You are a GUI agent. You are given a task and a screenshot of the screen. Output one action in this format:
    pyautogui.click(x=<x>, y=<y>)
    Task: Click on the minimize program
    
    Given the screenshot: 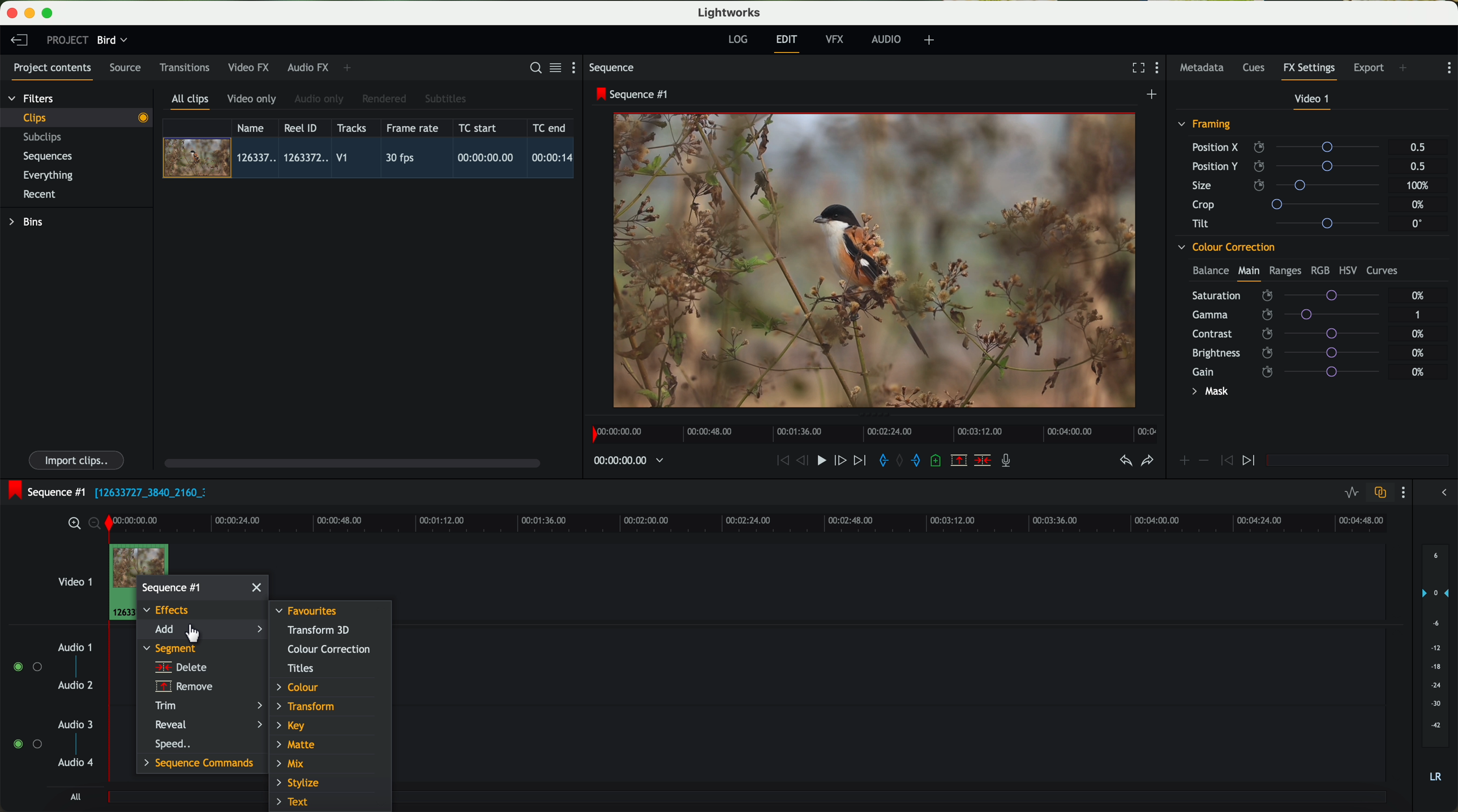 What is the action you would take?
    pyautogui.click(x=32, y=14)
    